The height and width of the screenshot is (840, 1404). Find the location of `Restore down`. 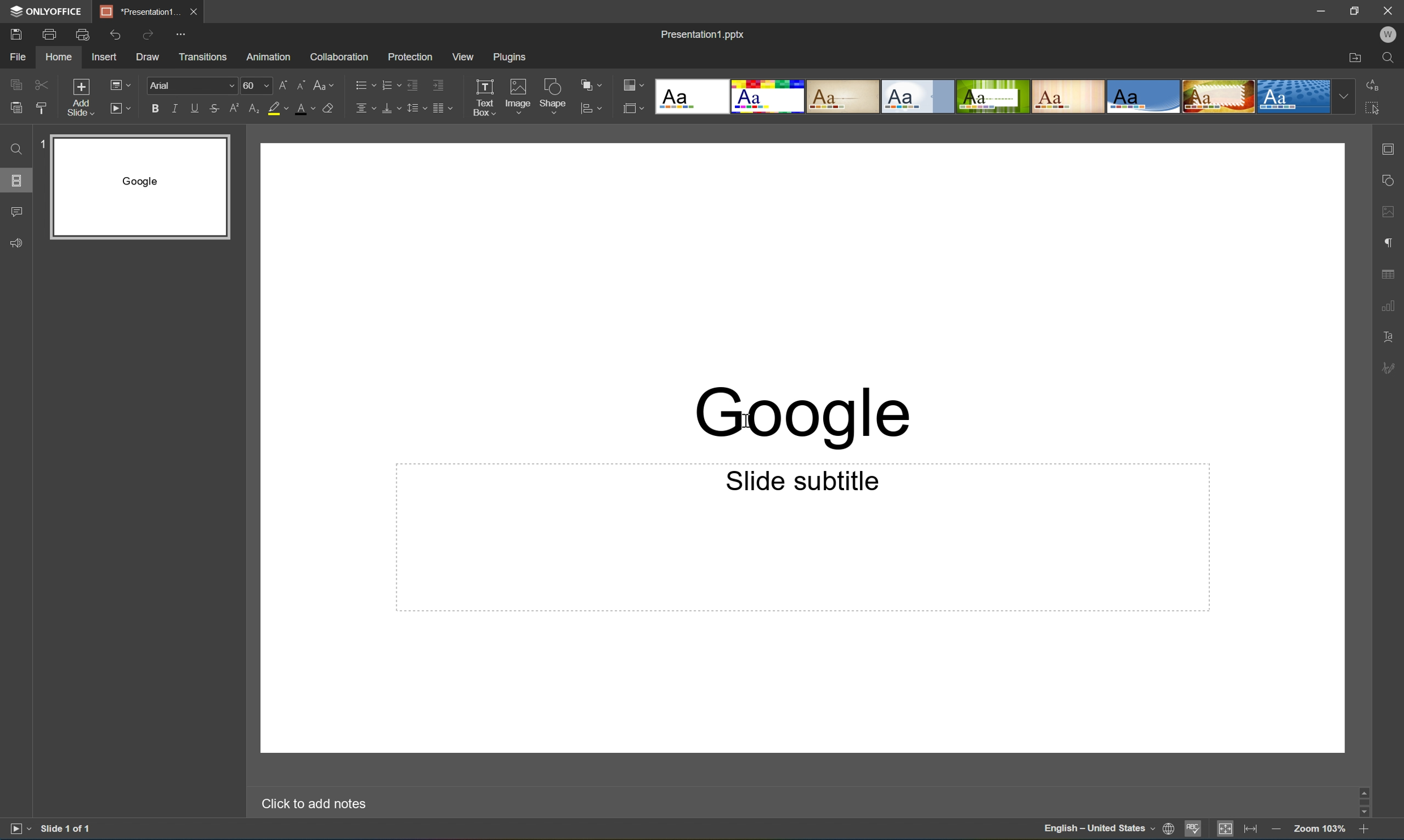

Restore down is located at coordinates (1357, 10).